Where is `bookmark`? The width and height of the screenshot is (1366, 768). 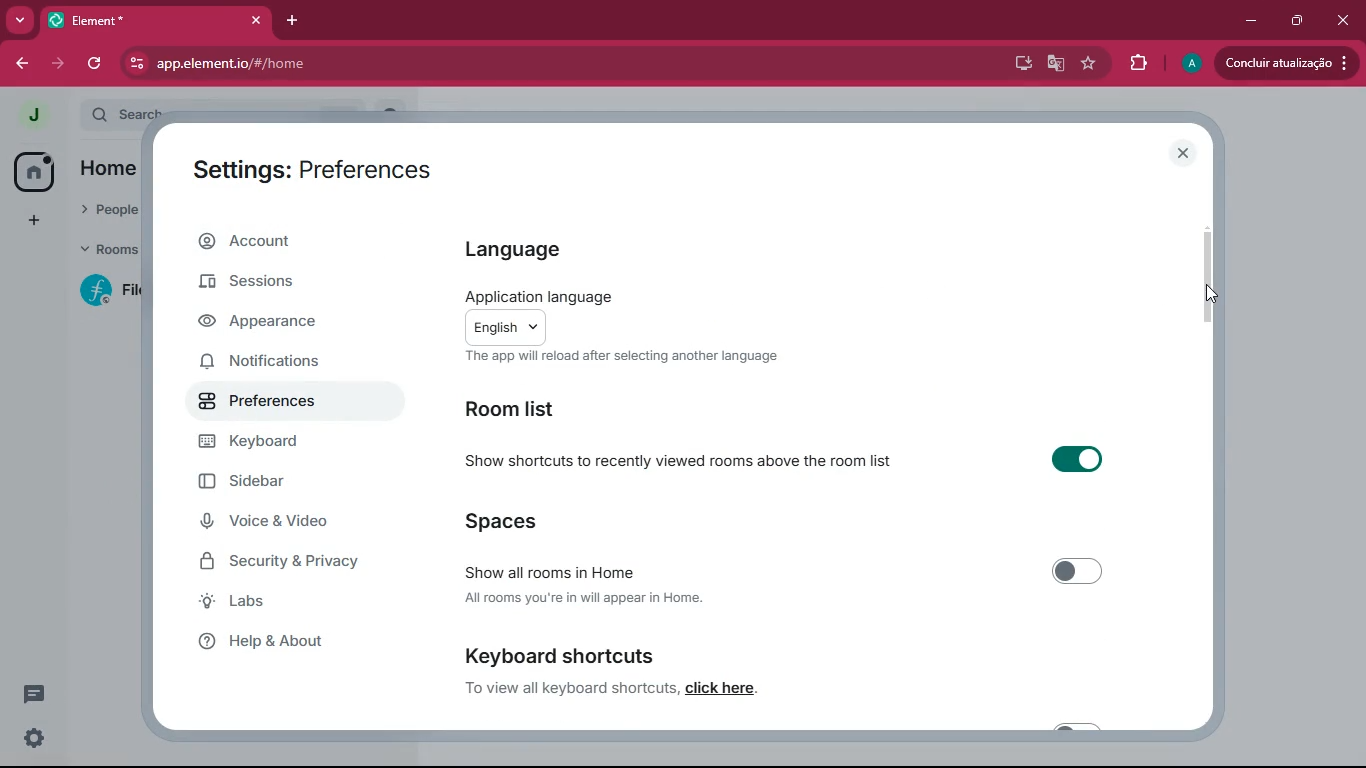
bookmark is located at coordinates (1089, 65).